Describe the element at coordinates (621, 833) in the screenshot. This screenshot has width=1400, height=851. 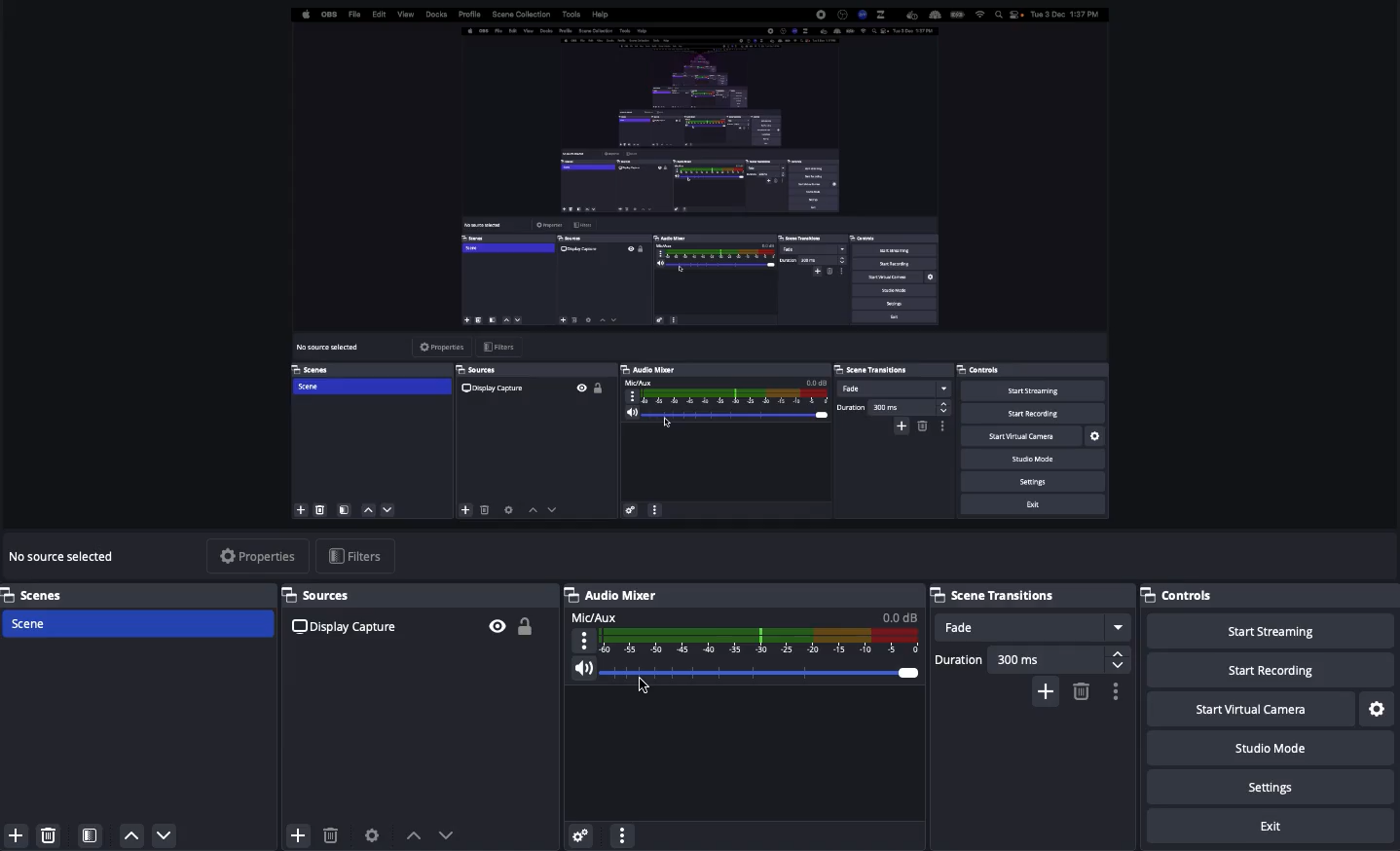
I see `More` at that location.